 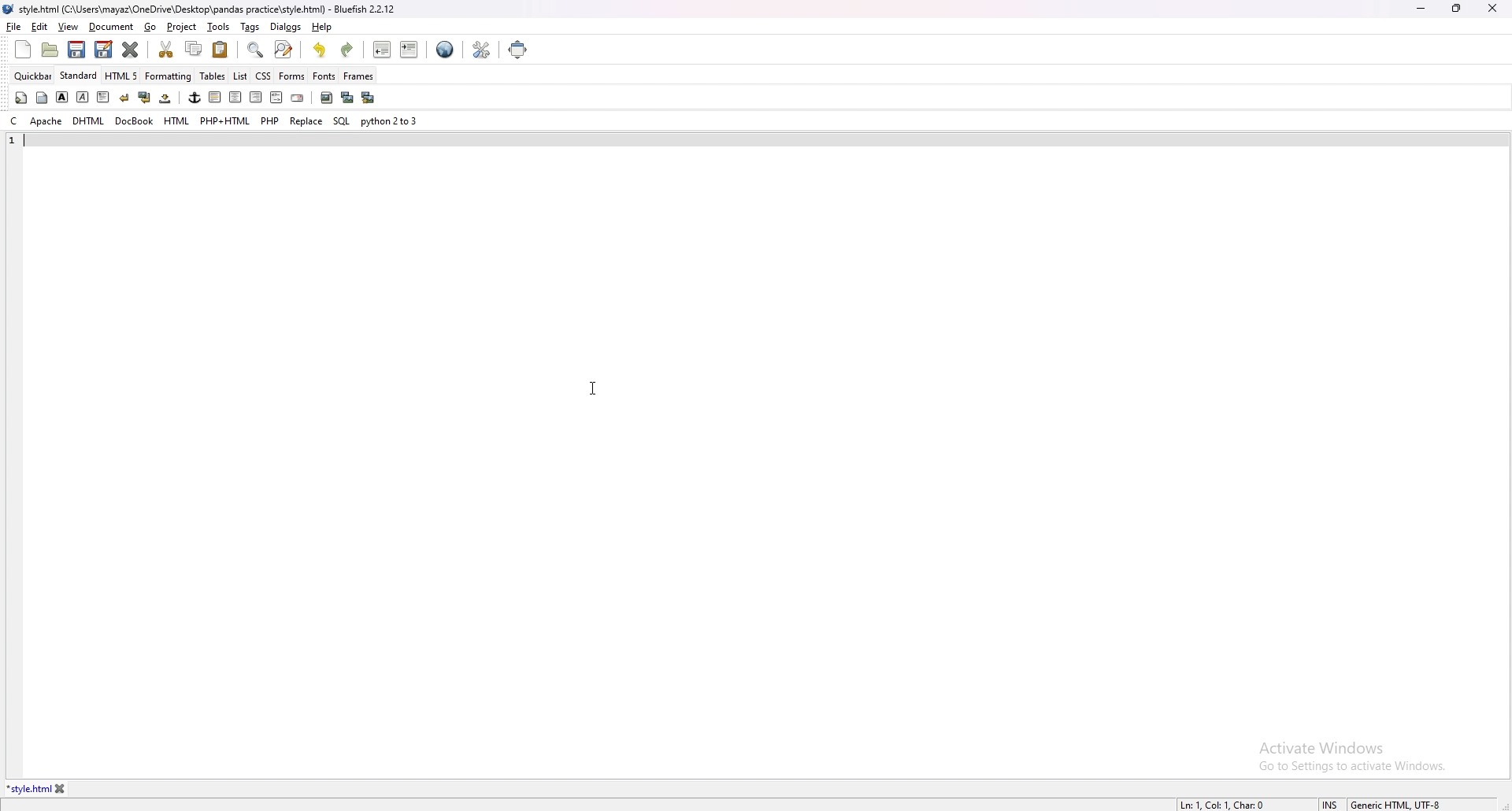 What do you see at coordinates (123, 76) in the screenshot?
I see `html 5` at bounding box center [123, 76].